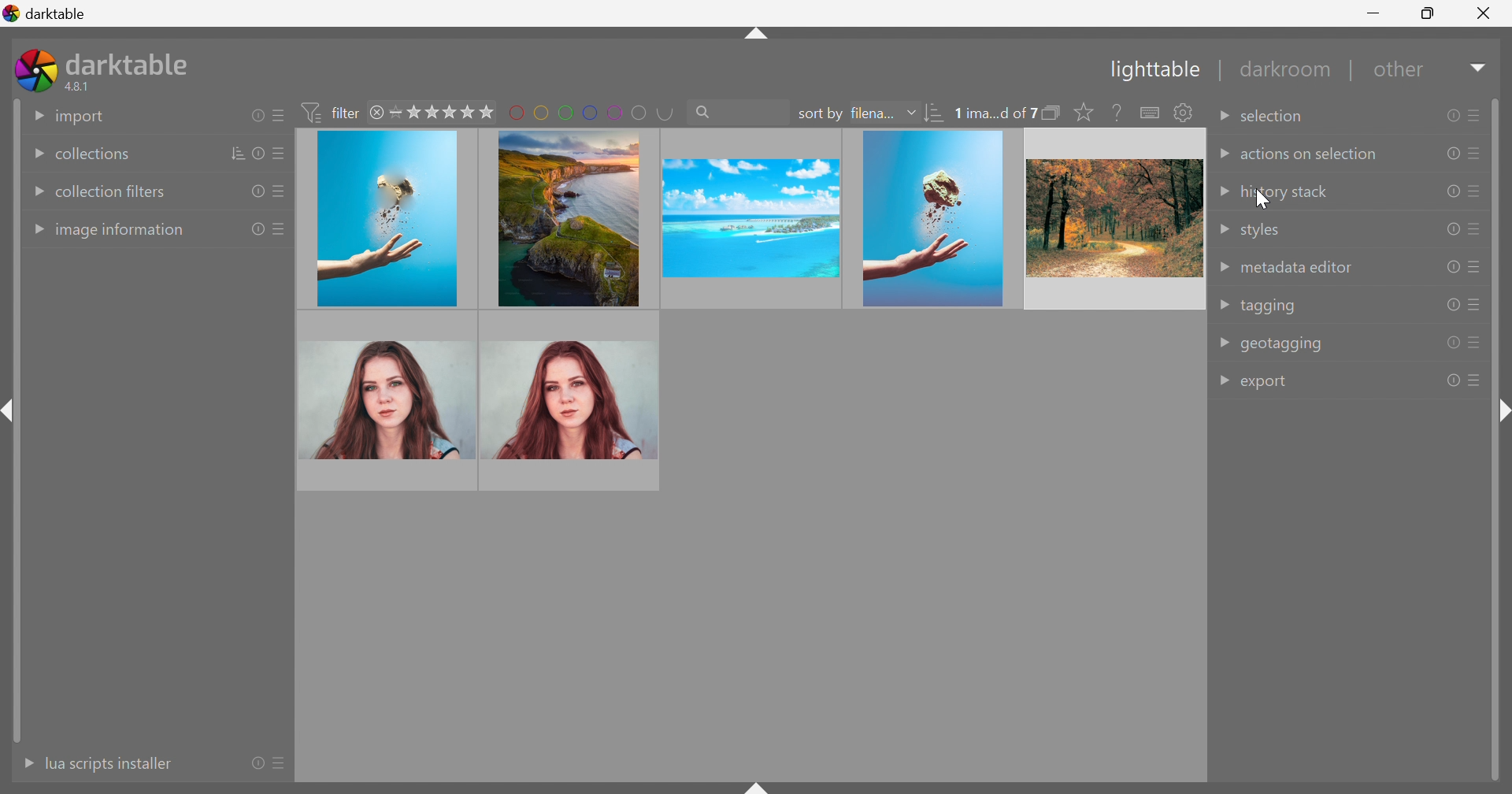 The image size is (1512, 794). What do you see at coordinates (1475, 113) in the screenshot?
I see `presets` at bounding box center [1475, 113].